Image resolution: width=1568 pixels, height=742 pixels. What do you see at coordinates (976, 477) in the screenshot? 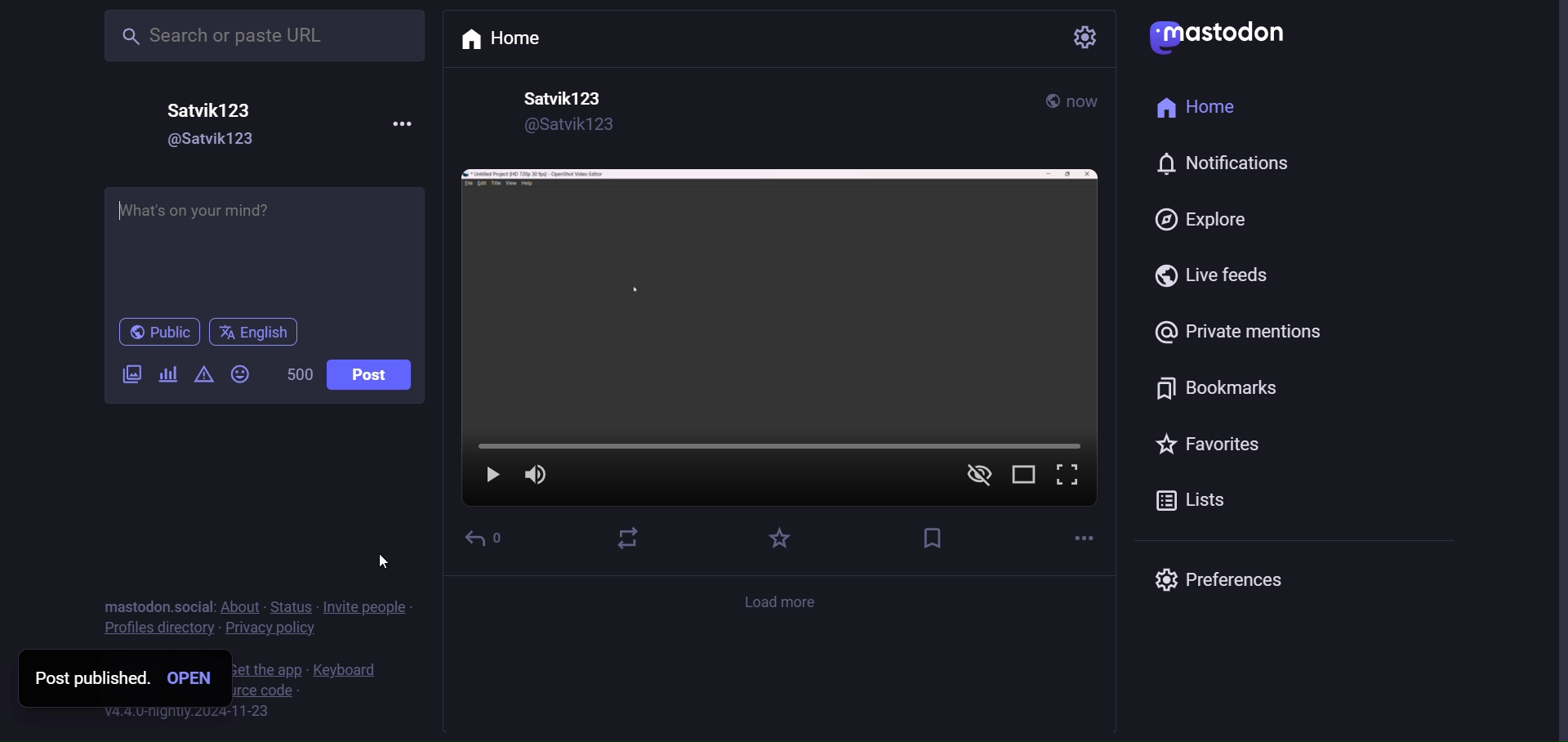
I see `hide` at bounding box center [976, 477].